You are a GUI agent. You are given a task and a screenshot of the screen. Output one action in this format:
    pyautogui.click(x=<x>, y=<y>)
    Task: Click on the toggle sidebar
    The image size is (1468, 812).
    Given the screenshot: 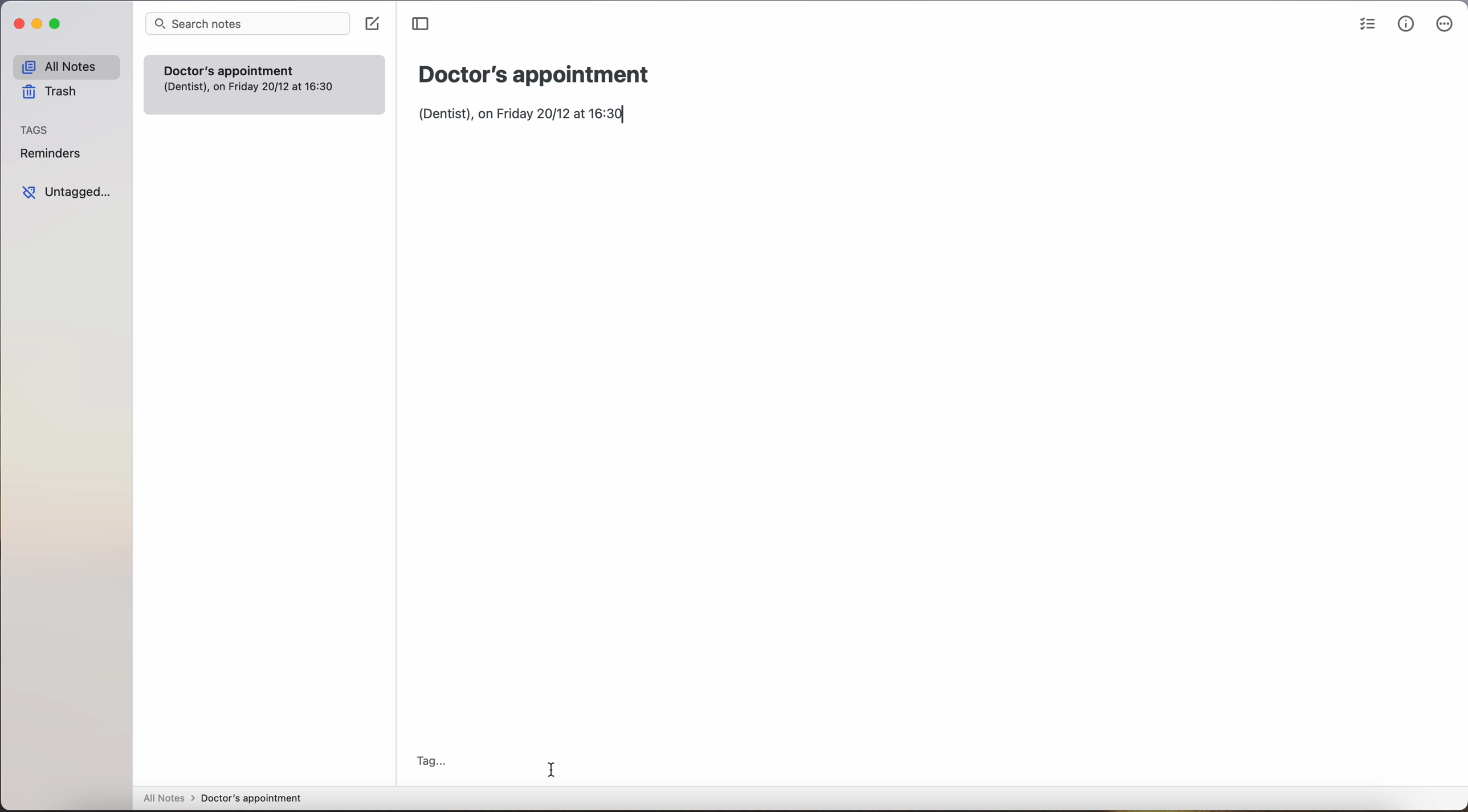 What is the action you would take?
    pyautogui.click(x=419, y=23)
    